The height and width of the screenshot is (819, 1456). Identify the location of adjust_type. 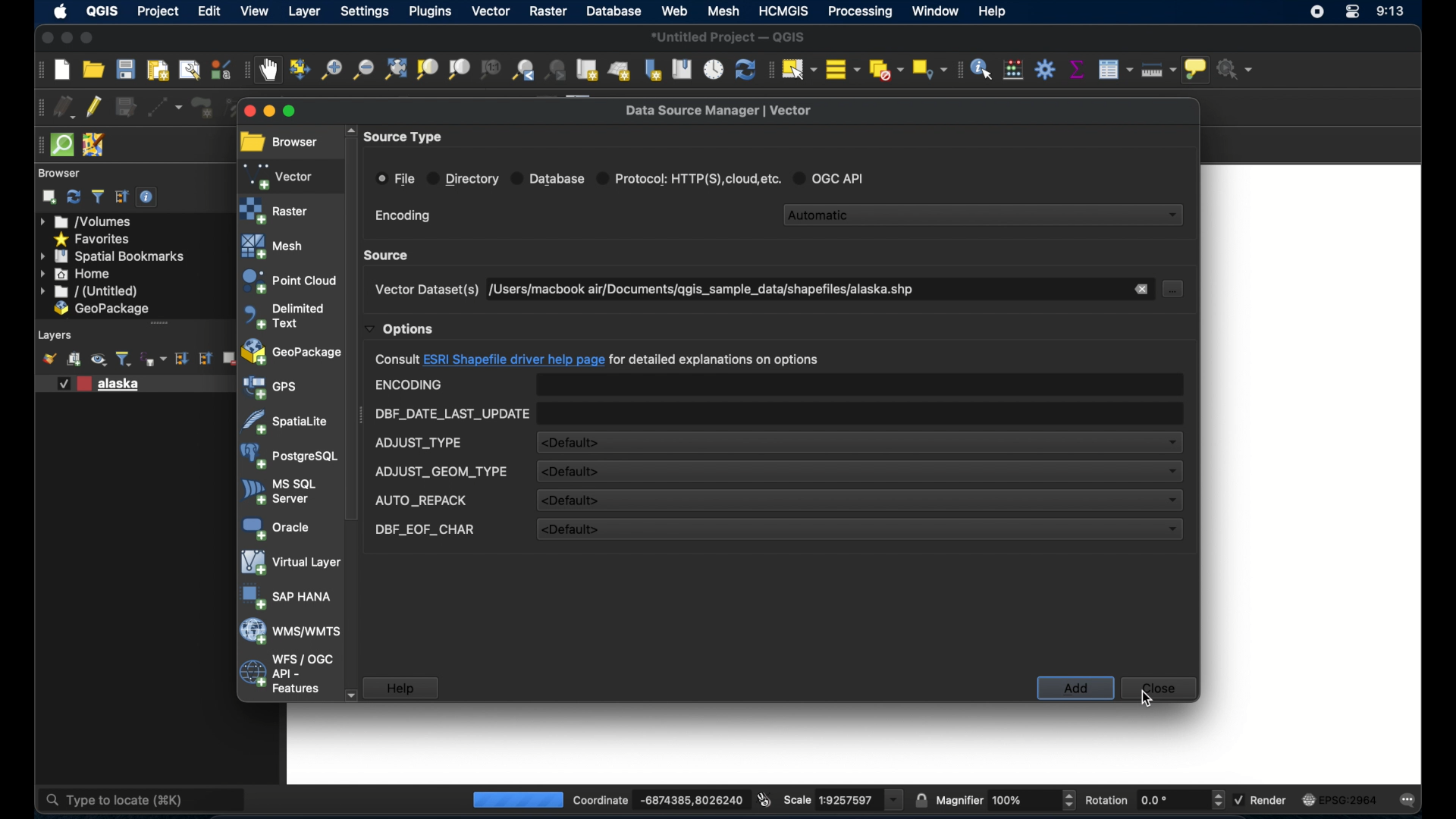
(419, 443).